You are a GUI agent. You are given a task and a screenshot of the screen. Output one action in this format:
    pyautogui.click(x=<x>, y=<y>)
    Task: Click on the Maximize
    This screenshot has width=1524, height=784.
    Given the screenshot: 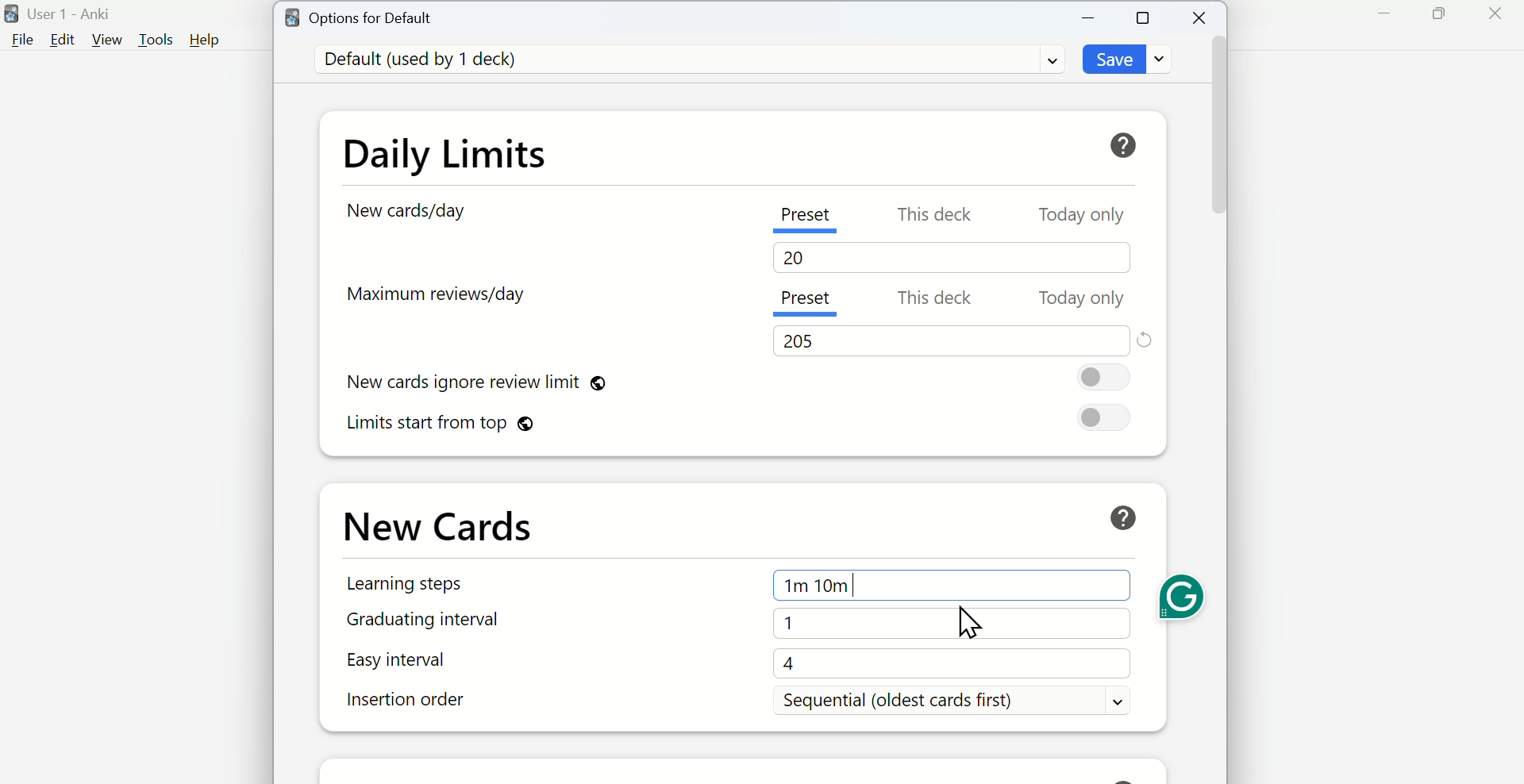 What is the action you would take?
    pyautogui.click(x=1439, y=18)
    